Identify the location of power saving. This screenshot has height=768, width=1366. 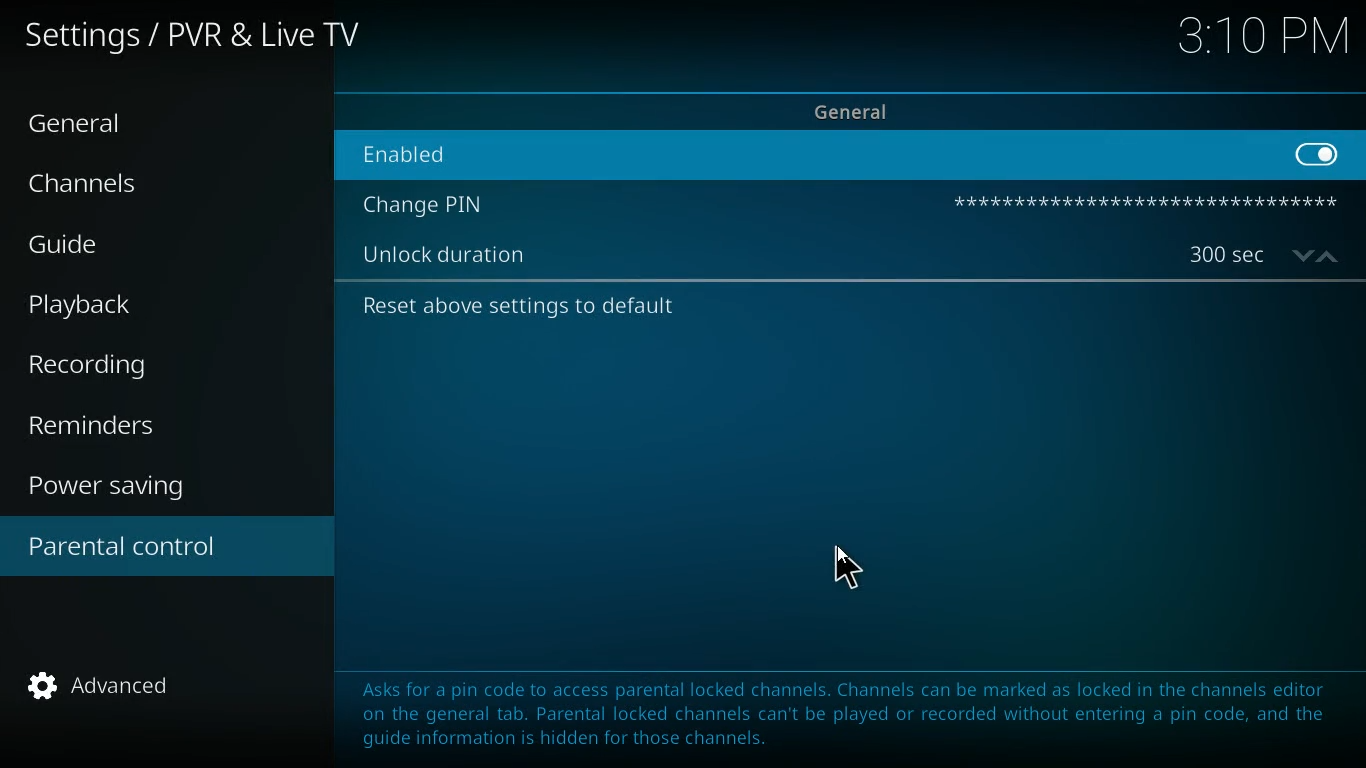
(119, 489).